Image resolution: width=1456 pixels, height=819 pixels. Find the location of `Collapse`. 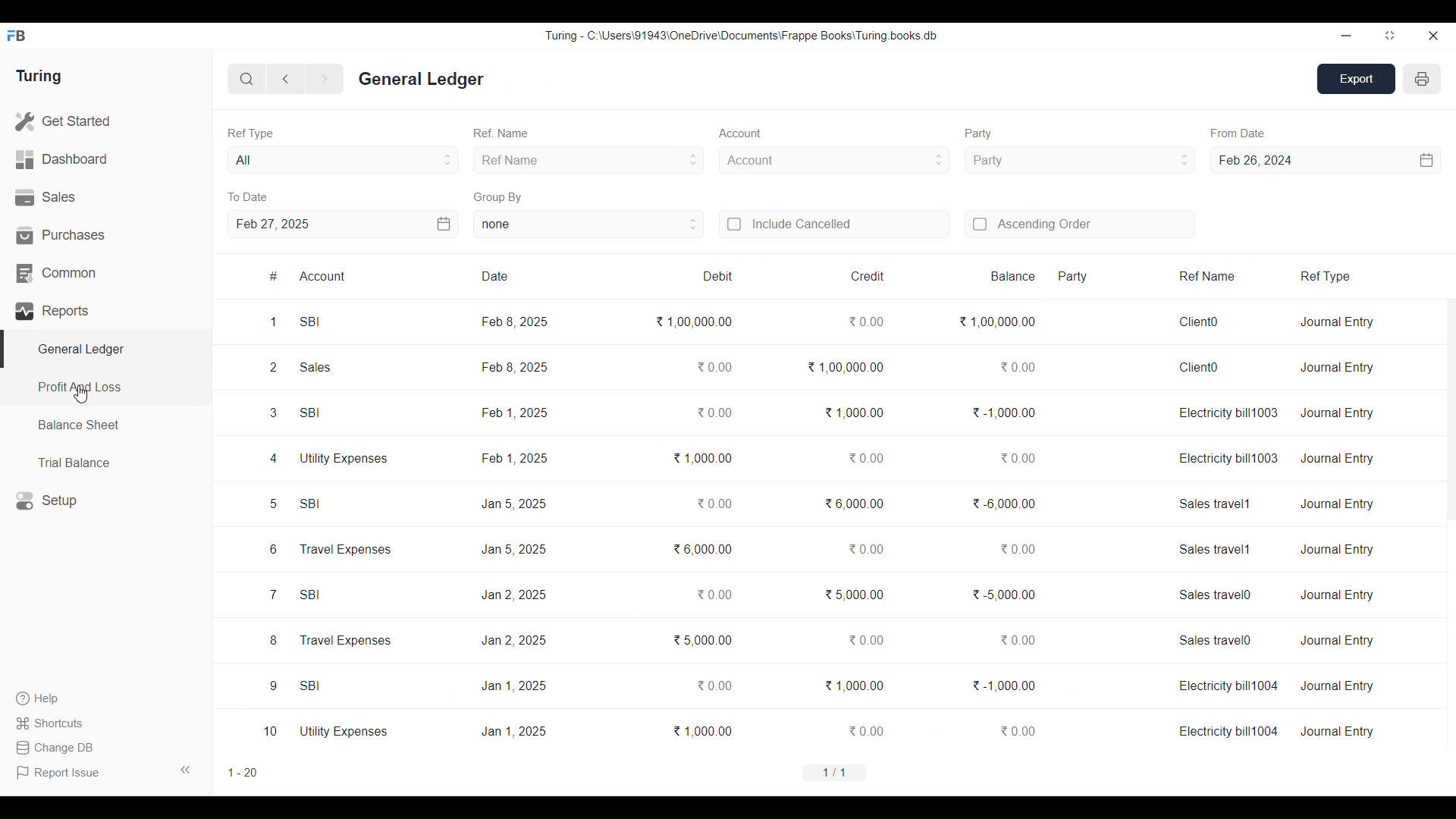

Collapse is located at coordinates (186, 770).